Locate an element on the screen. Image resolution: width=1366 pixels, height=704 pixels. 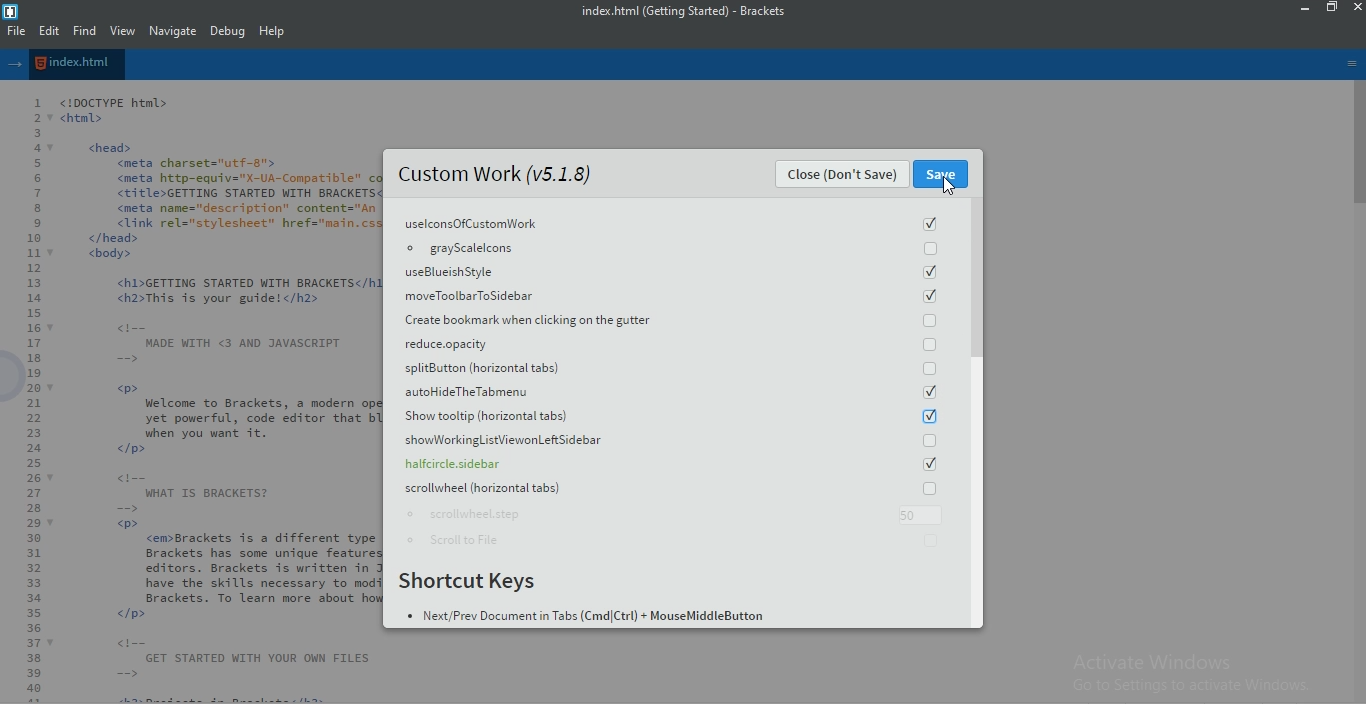
showWorkingListViewonLeft Sidebar is located at coordinates (674, 440).